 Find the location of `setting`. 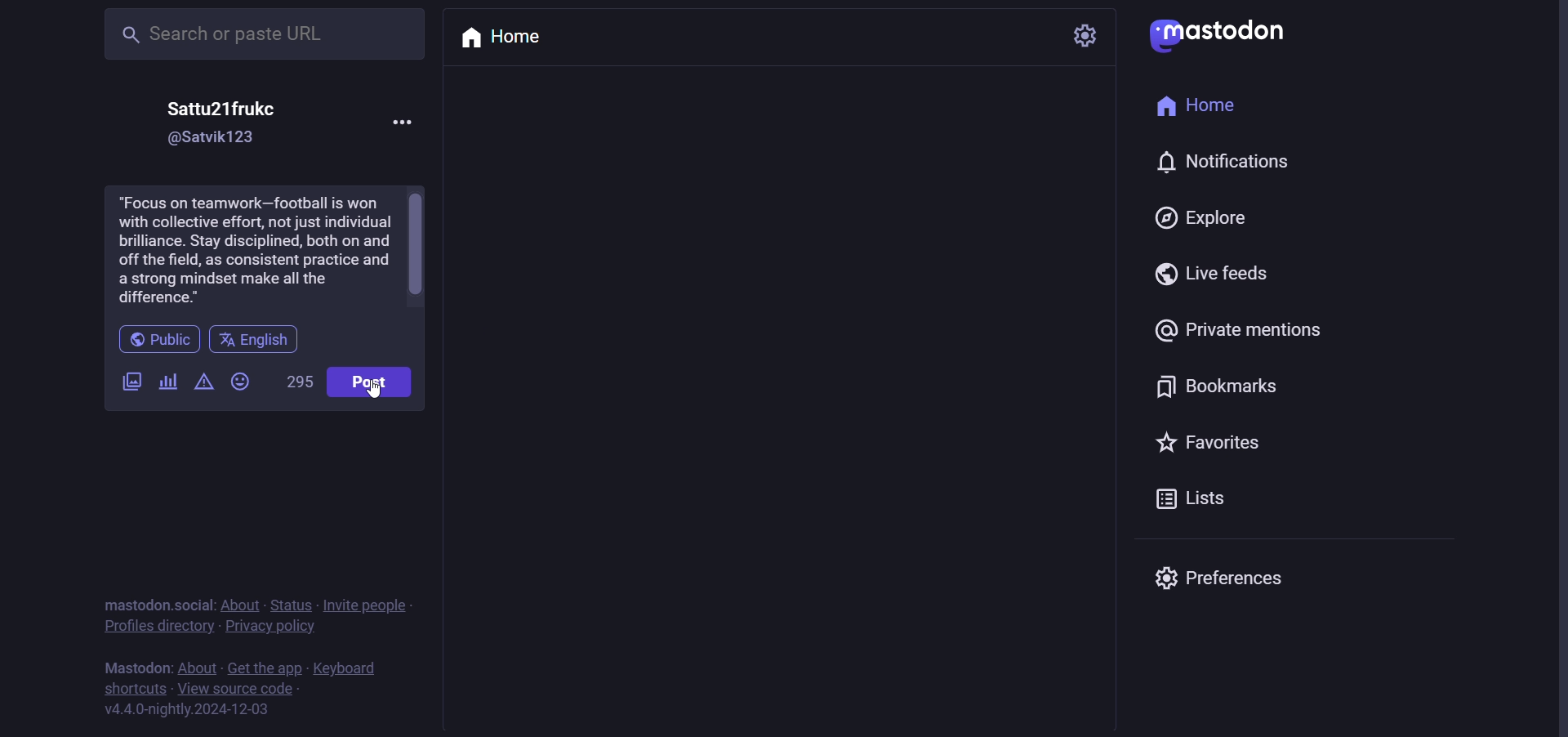

setting is located at coordinates (1089, 35).